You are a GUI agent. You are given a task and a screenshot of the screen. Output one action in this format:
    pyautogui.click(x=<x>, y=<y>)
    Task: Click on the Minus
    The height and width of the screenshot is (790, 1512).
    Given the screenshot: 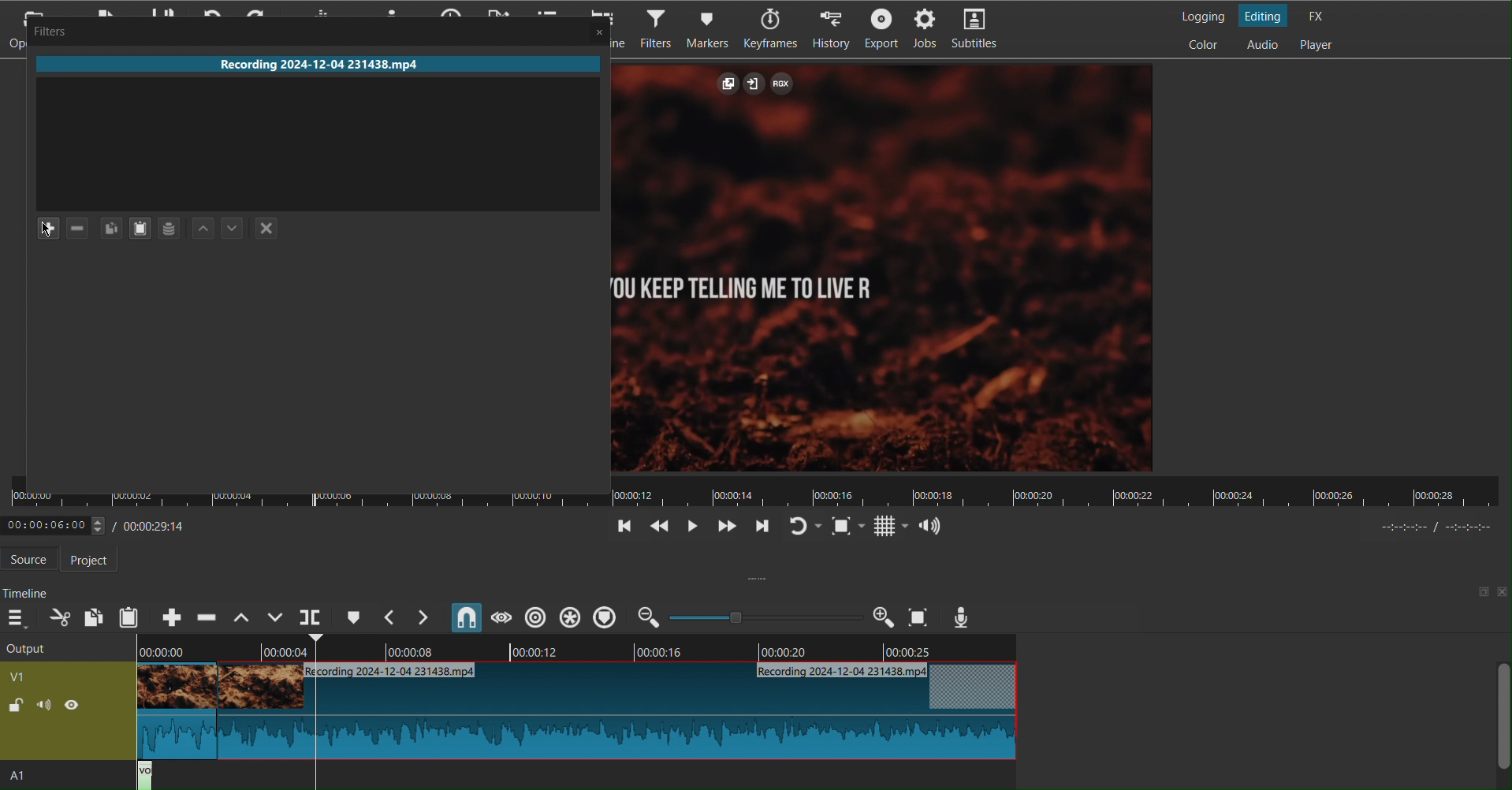 What is the action you would take?
    pyautogui.click(x=79, y=226)
    